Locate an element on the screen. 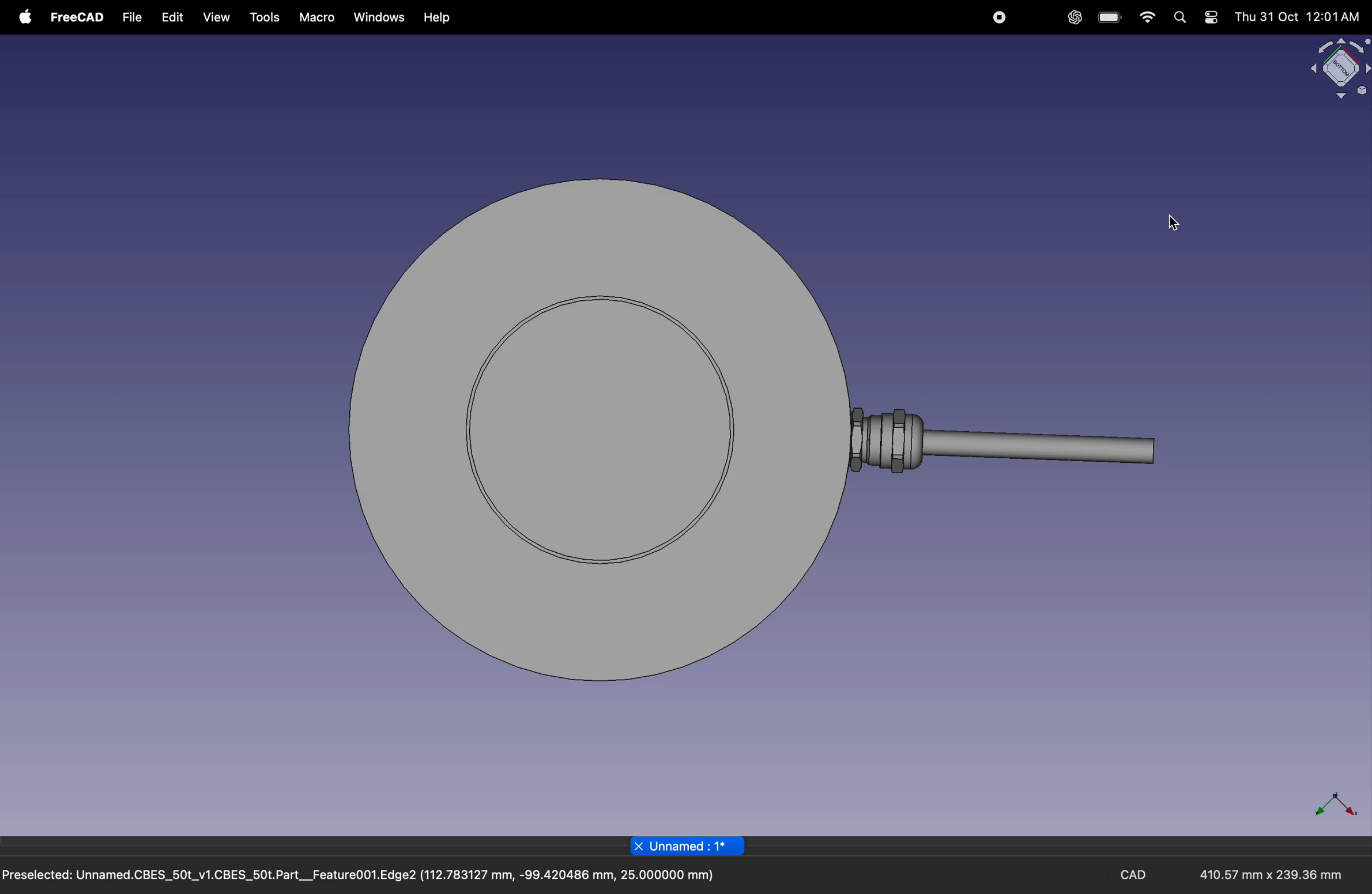 The width and height of the screenshot is (1372, 894). Thu 31 Oct  12:01 AM is located at coordinates (1298, 16).